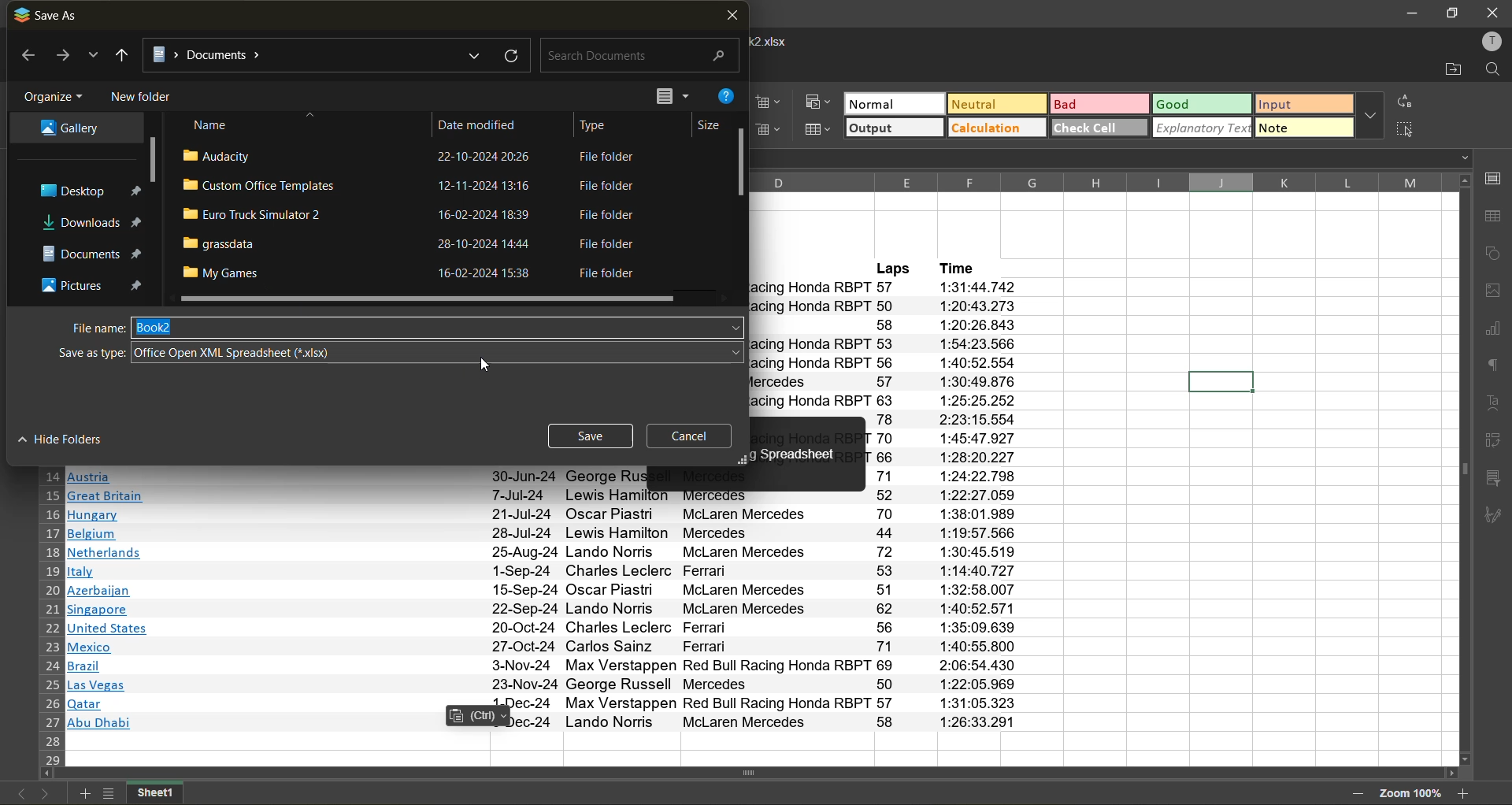  What do you see at coordinates (152, 161) in the screenshot?
I see `vertical scroll bar` at bounding box center [152, 161].